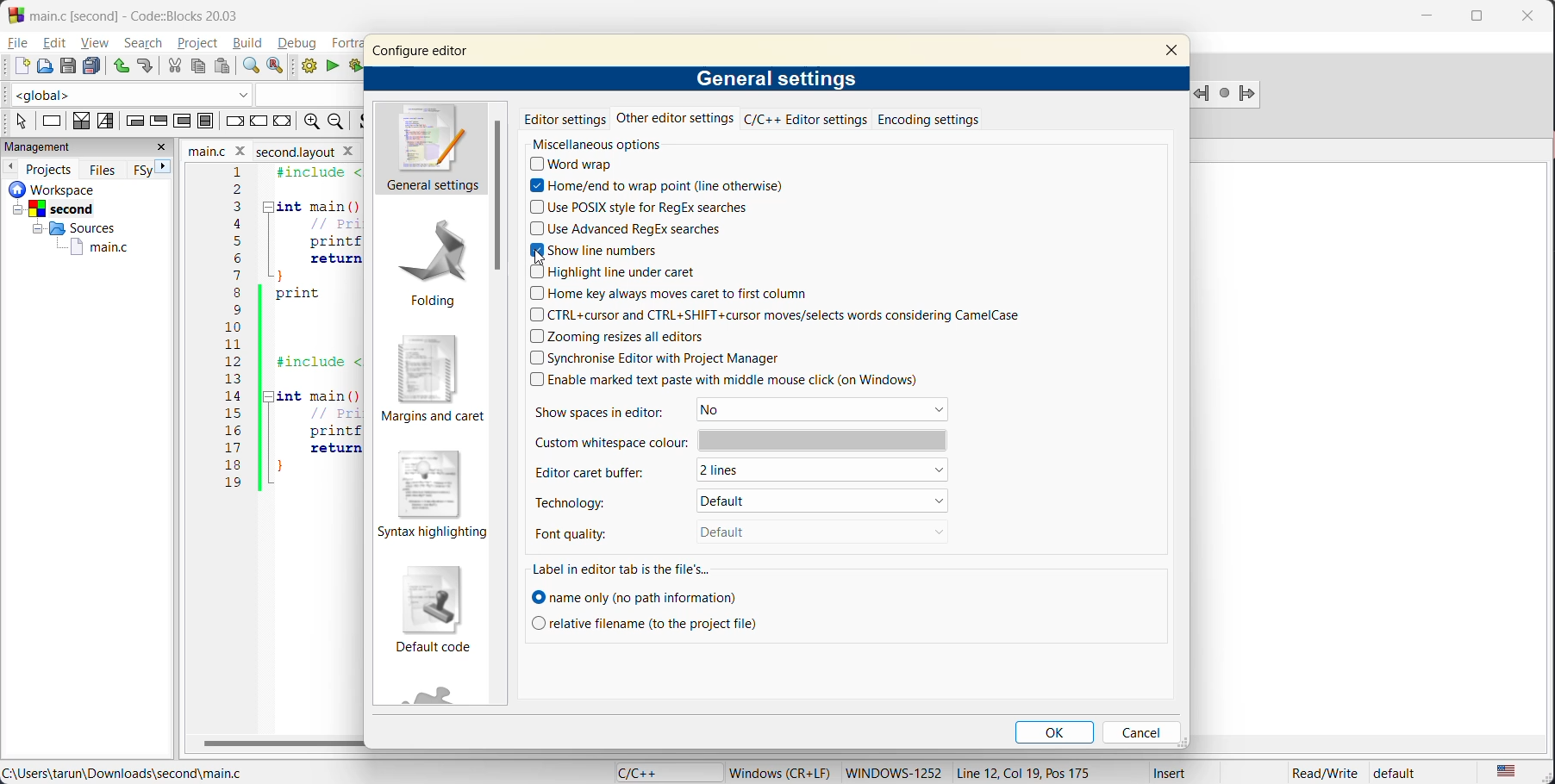  Describe the element at coordinates (54, 44) in the screenshot. I see `edit` at that location.